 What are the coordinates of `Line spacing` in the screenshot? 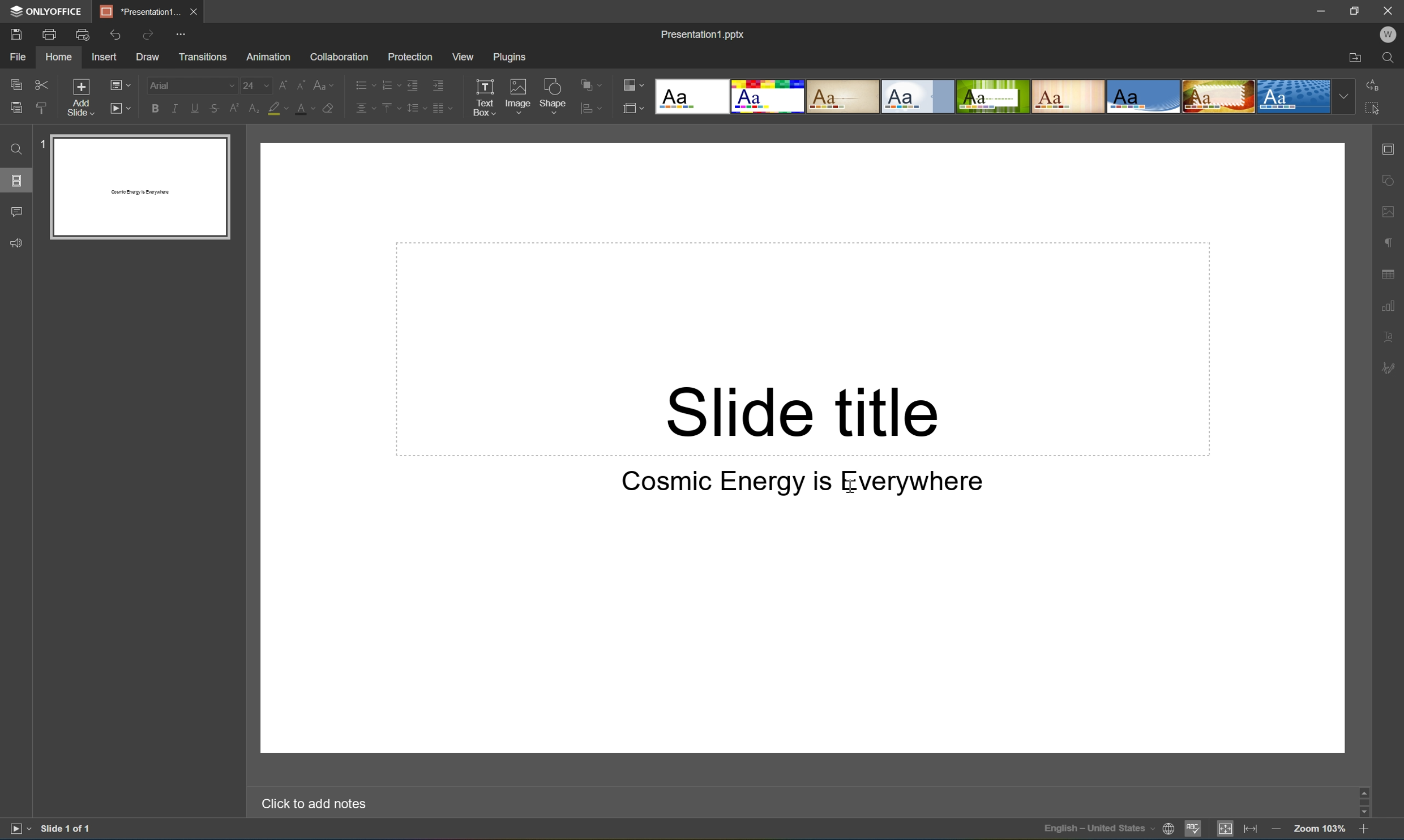 It's located at (416, 108).